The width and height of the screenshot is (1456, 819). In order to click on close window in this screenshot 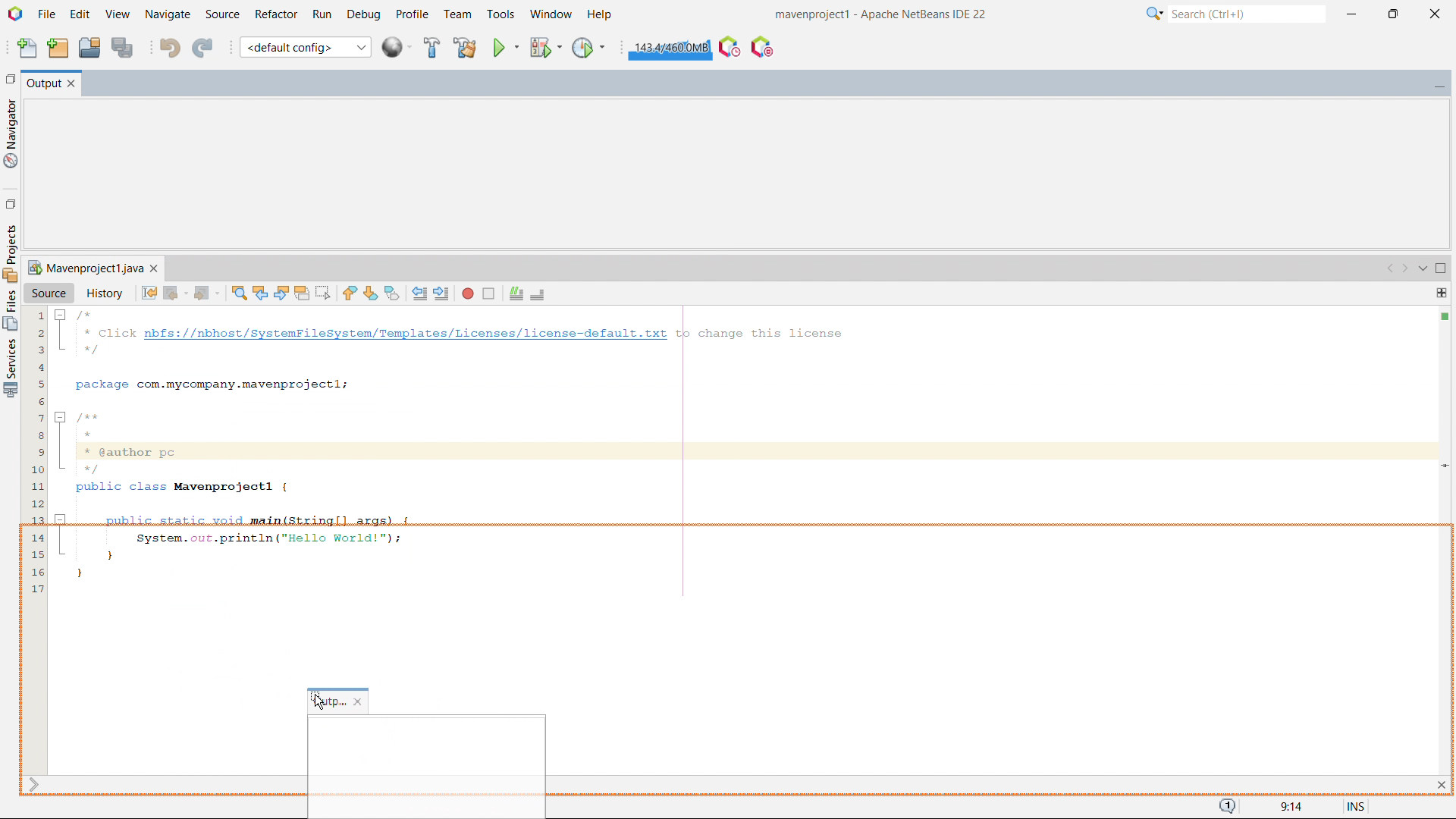, I will do `click(154, 268)`.